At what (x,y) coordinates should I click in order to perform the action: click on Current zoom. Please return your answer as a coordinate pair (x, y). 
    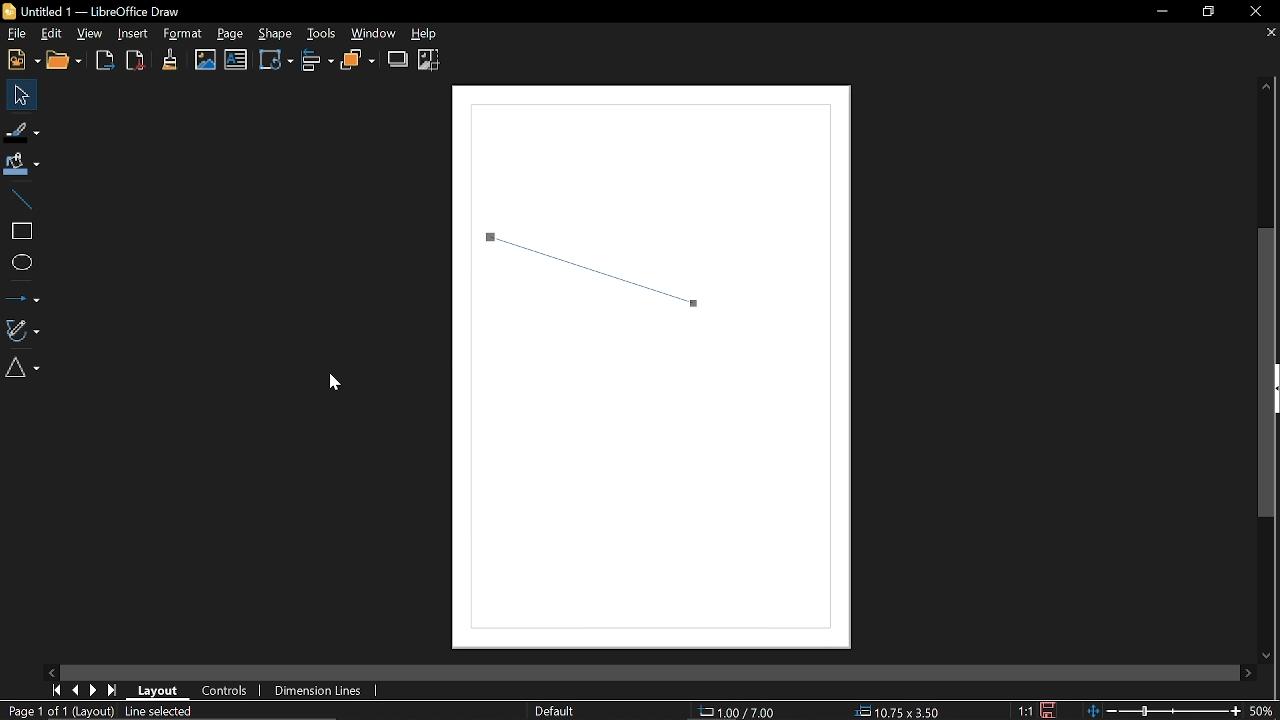
    Looking at the image, I should click on (1264, 711).